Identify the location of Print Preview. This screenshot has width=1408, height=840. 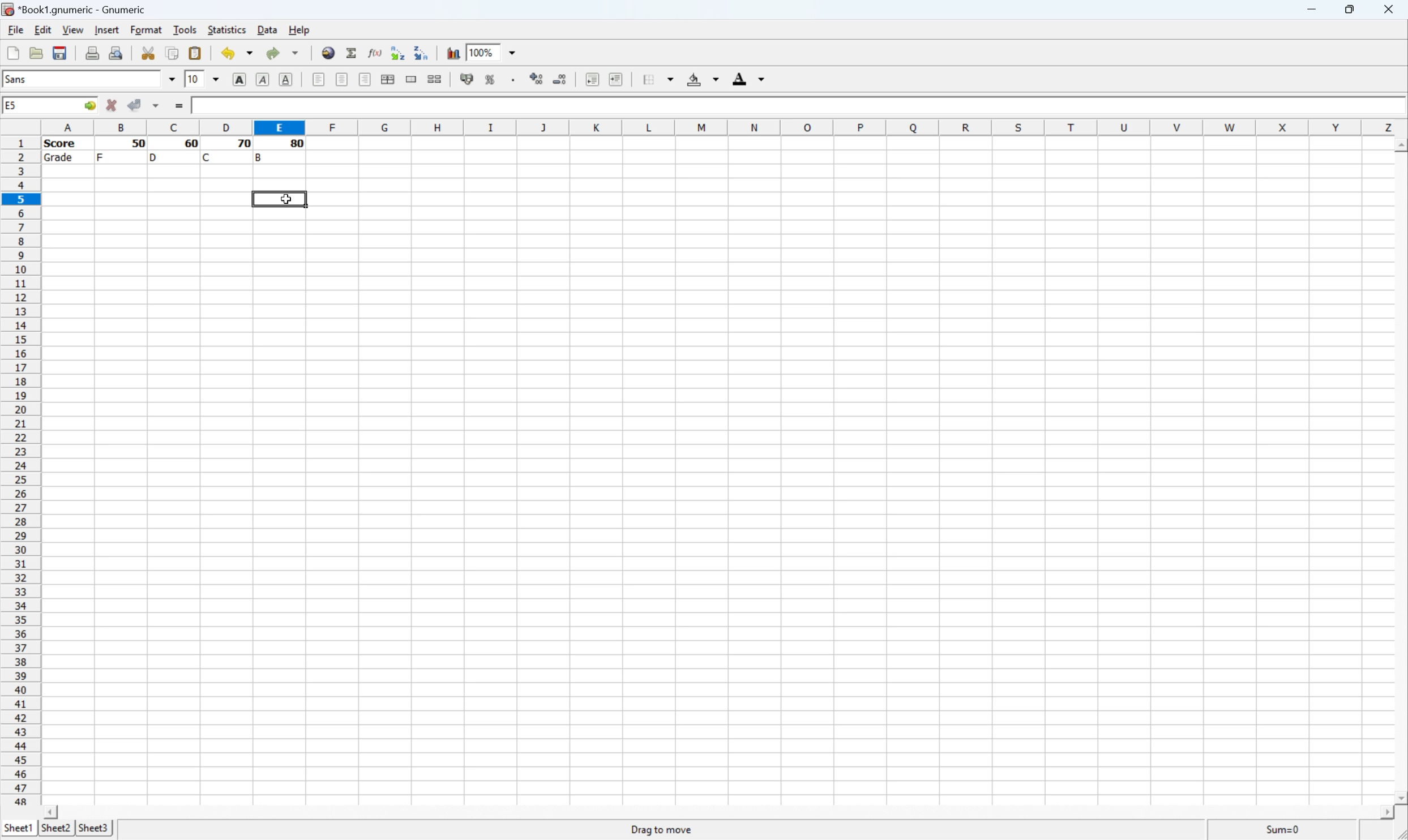
(119, 53).